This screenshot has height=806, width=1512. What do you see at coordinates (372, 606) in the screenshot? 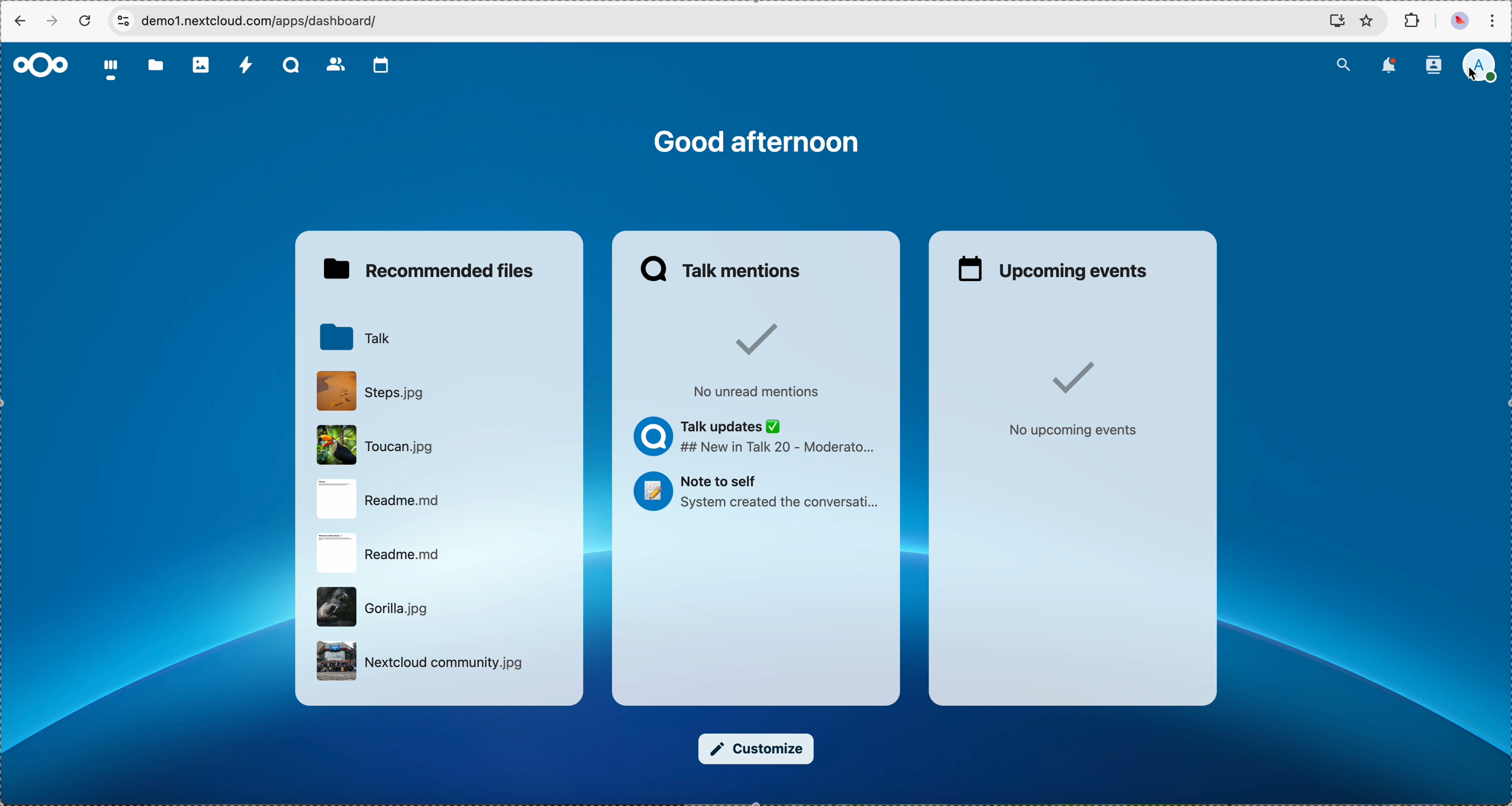
I see `file` at bounding box center [372, 606].